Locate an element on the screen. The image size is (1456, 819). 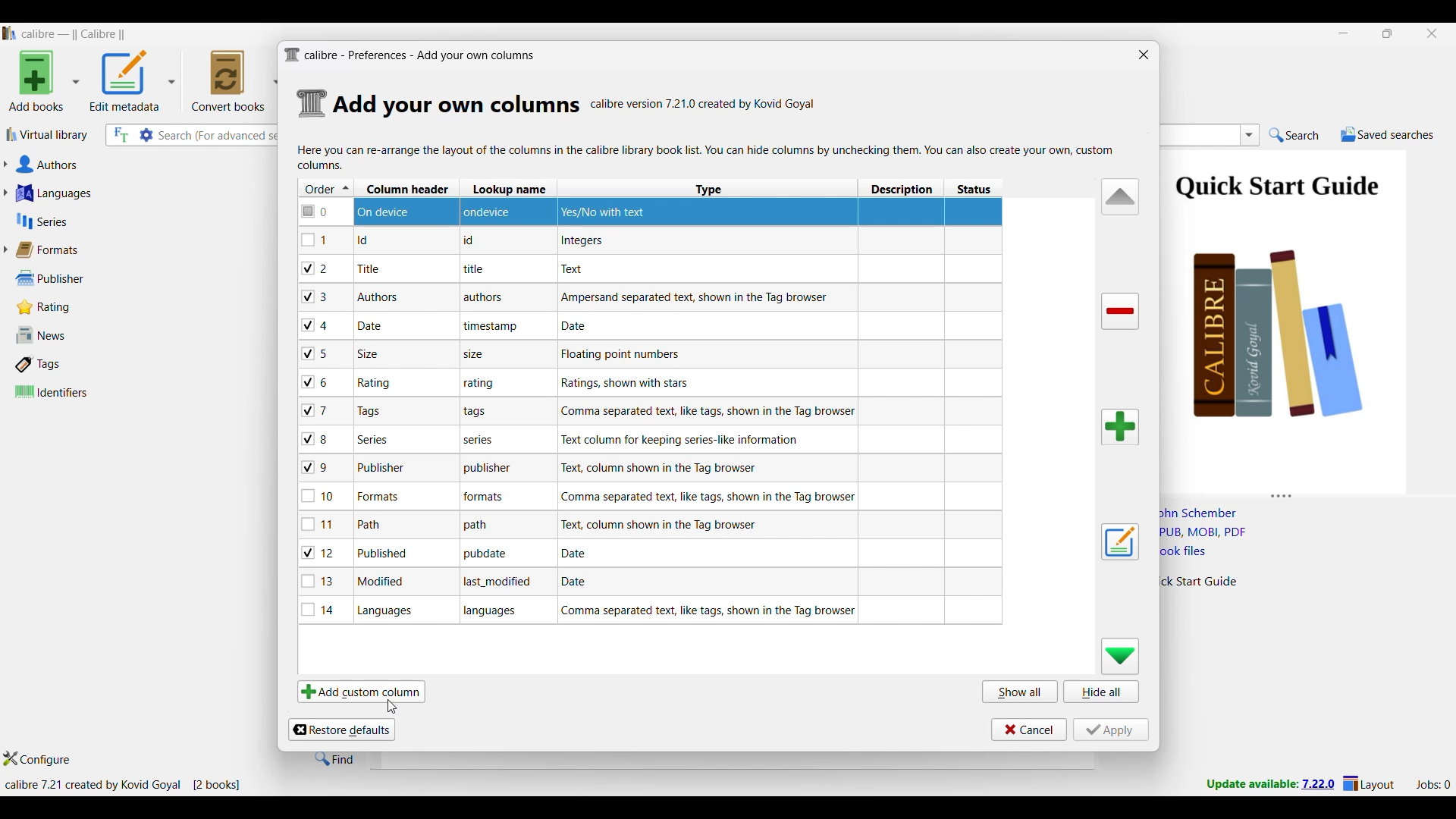
Yes/No with text is located at coordinates (609, 212).